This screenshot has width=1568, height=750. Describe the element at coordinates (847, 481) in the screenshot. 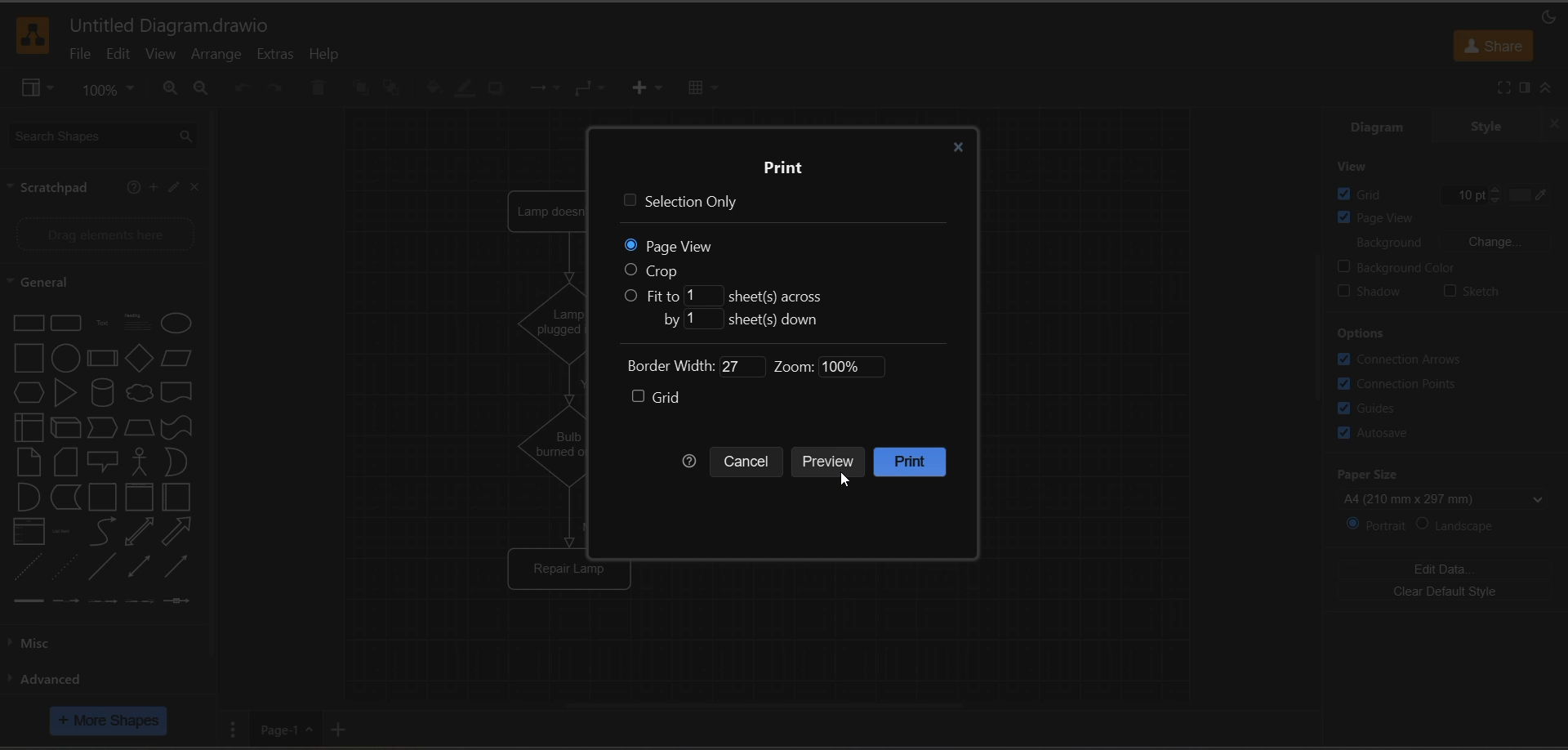

I see `cursor` at that location.